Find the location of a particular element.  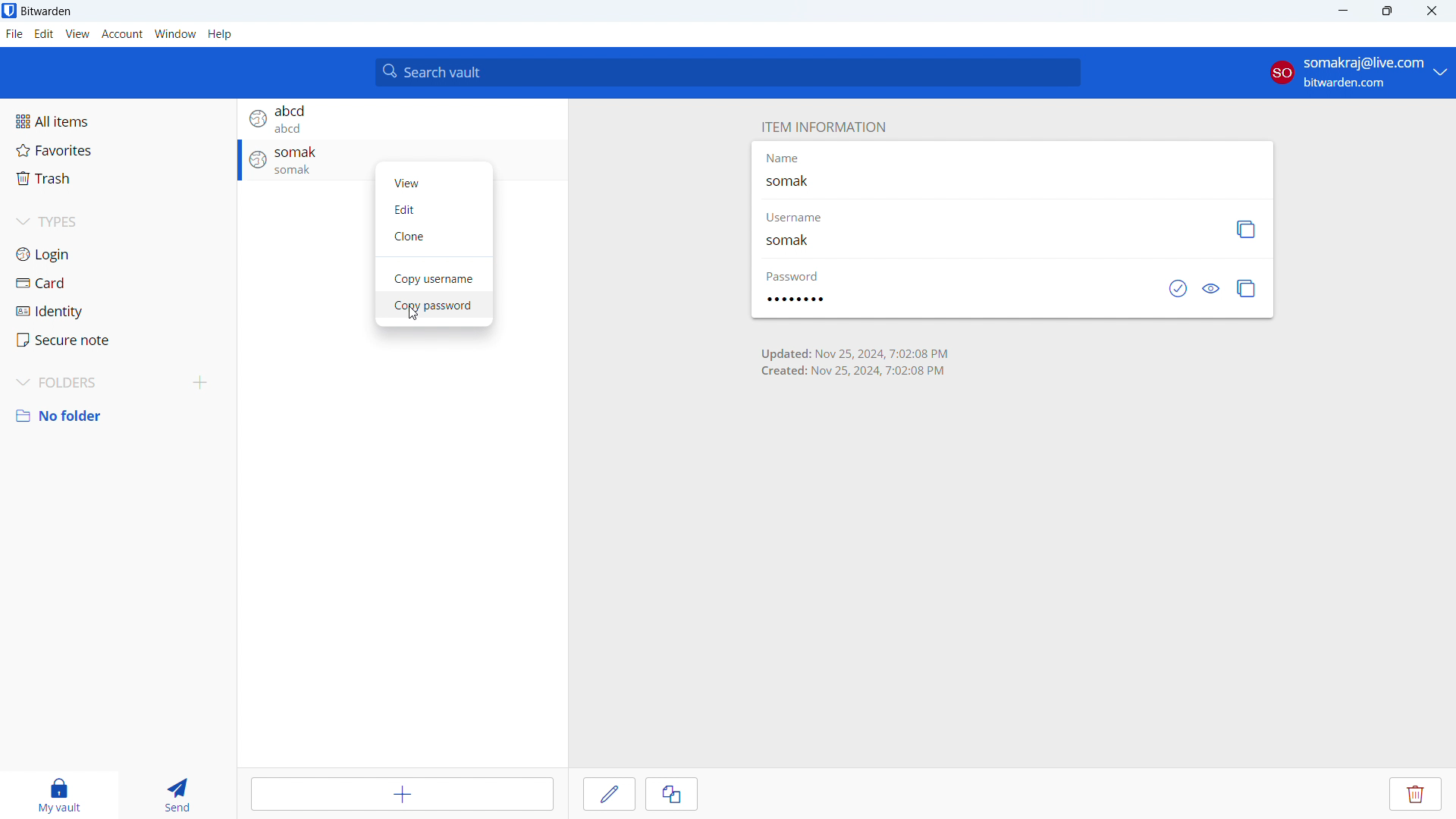

title is located at coordinates (47, 12).